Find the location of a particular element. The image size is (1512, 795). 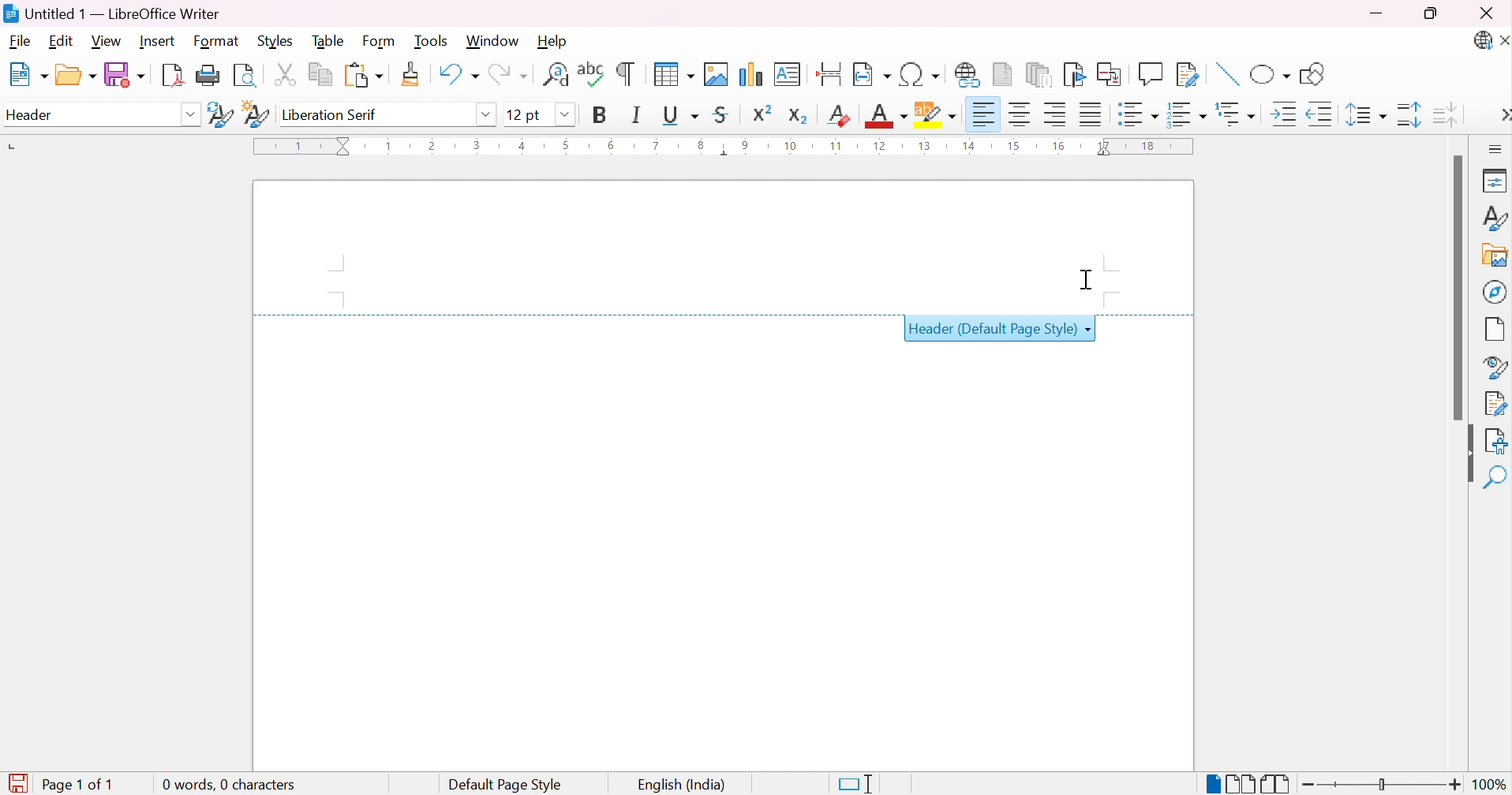

Clear direct formatting is located at coordinates (840, 116).